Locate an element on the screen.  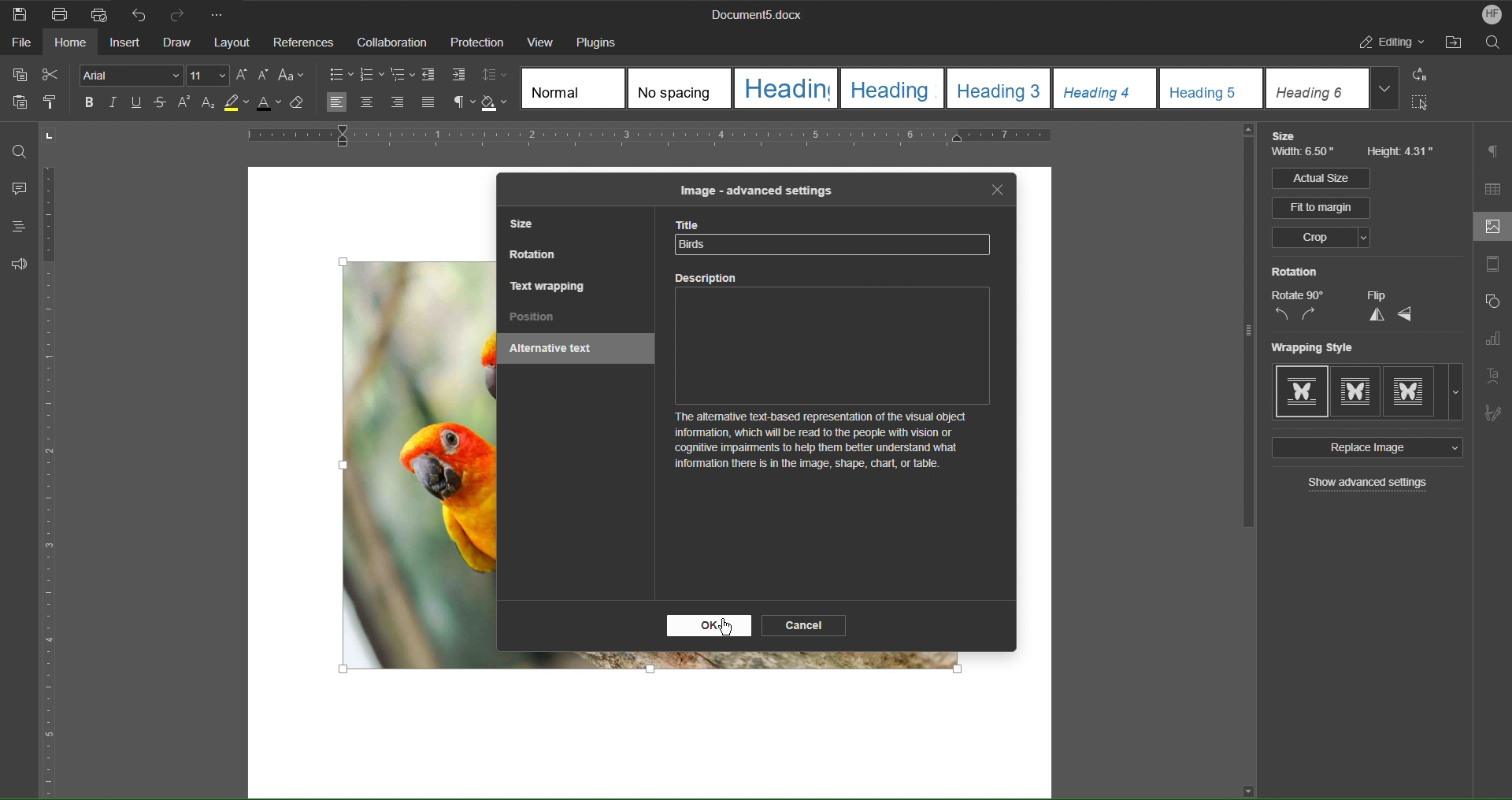
Alignment is located at coordinates (380, 103).